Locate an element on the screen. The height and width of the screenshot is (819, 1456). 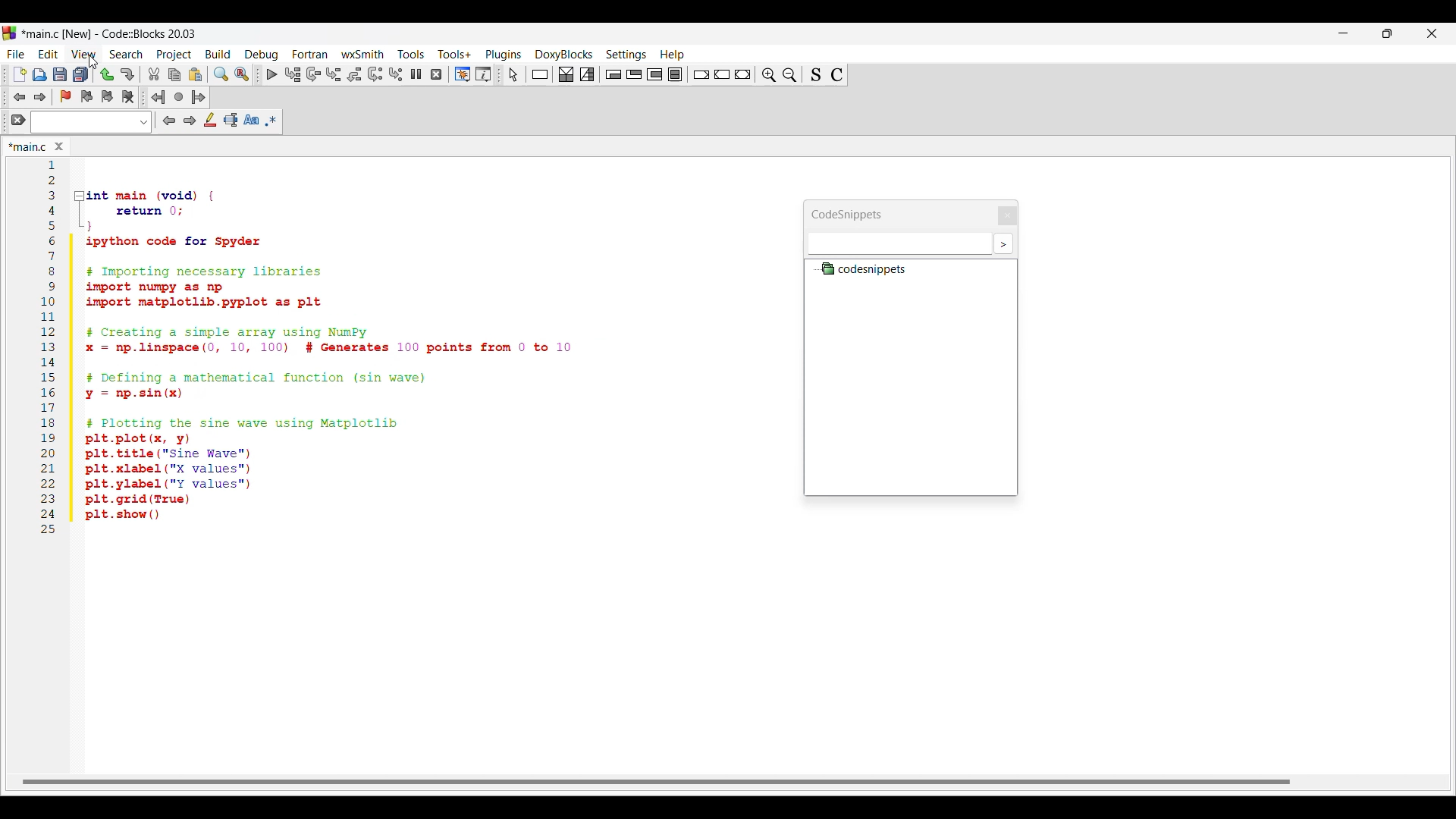
Jump forward is located at coordinates (199, 97).